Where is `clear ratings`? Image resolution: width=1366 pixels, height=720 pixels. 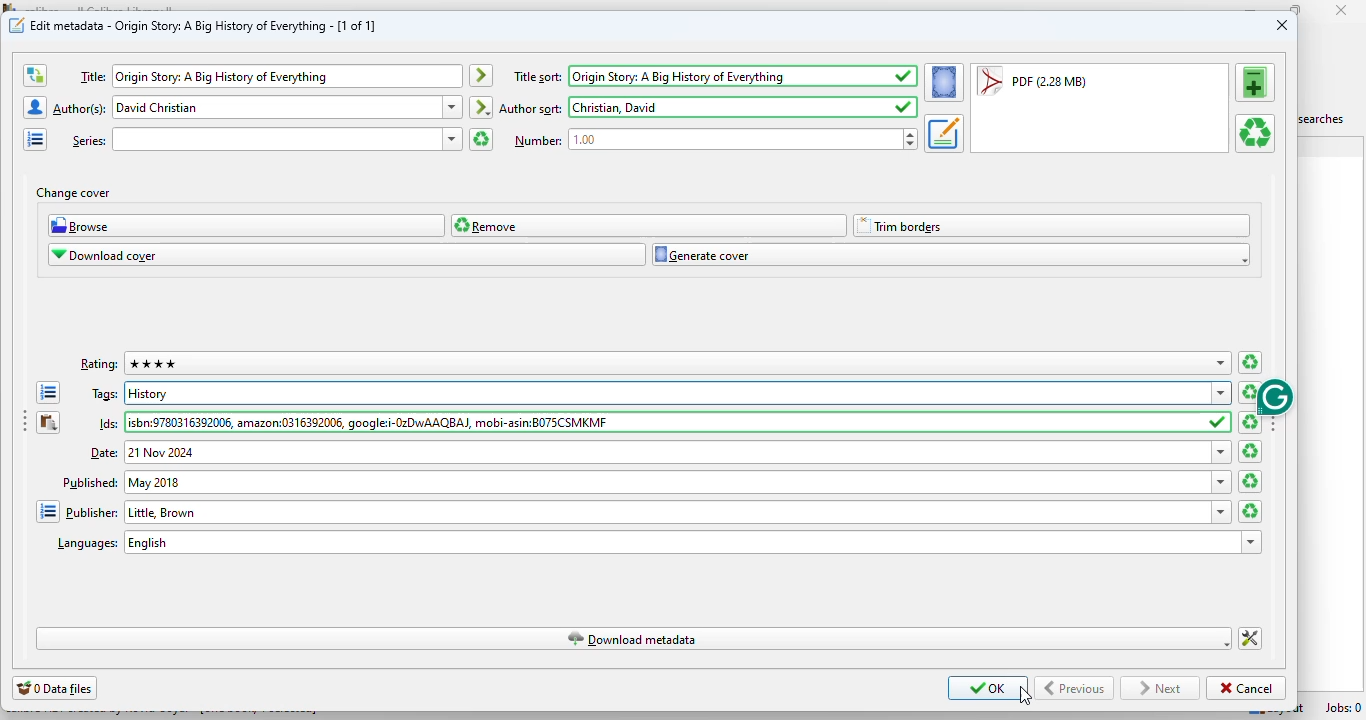 clear ratings is located at coordinates (1250, 363).